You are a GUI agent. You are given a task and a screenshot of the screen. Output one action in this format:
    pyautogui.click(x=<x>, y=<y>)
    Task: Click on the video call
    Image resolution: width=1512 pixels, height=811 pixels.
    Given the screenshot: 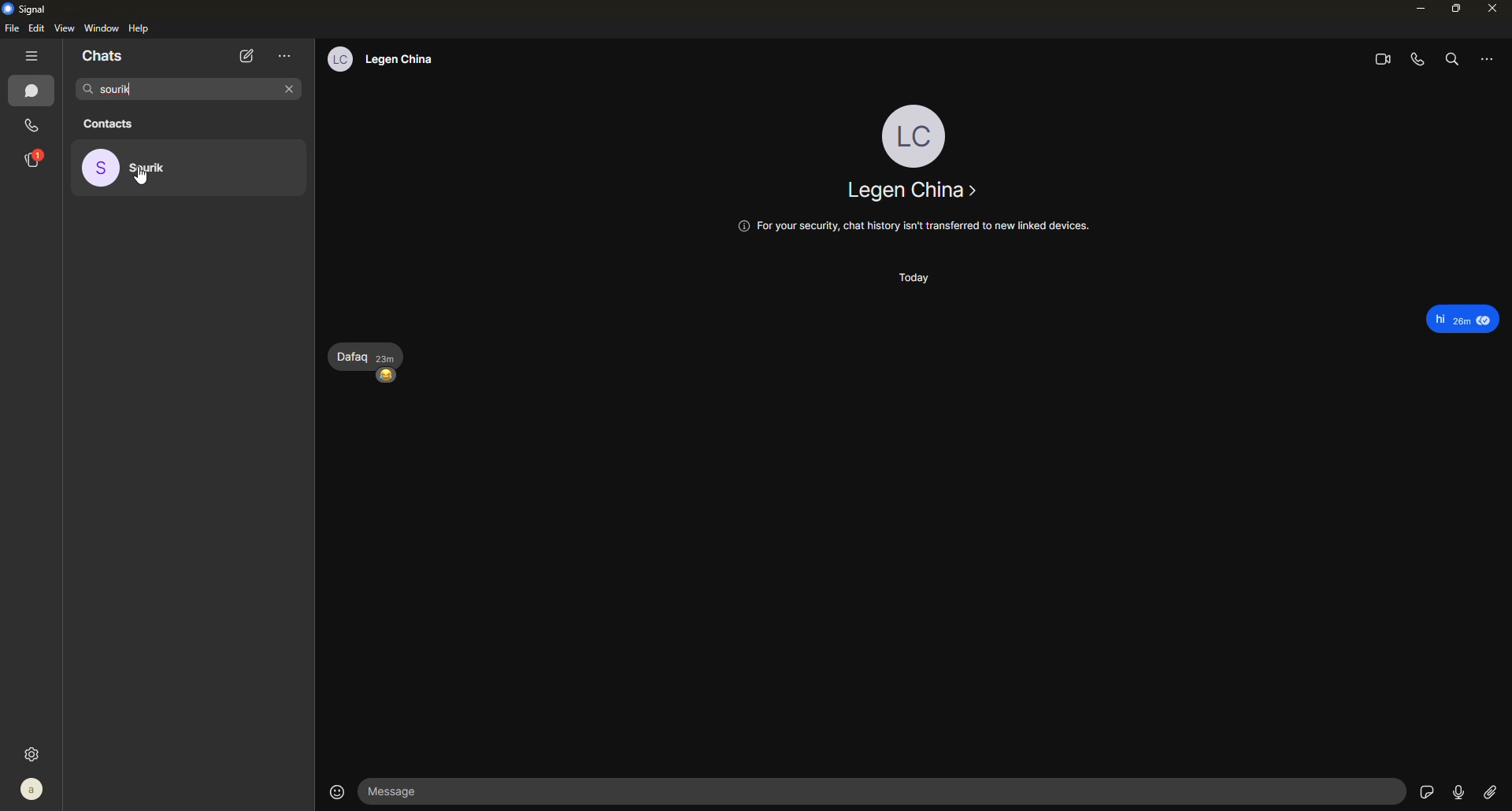 What is the action you would take?
    pyautogui.click(x=1377, y=59)
    